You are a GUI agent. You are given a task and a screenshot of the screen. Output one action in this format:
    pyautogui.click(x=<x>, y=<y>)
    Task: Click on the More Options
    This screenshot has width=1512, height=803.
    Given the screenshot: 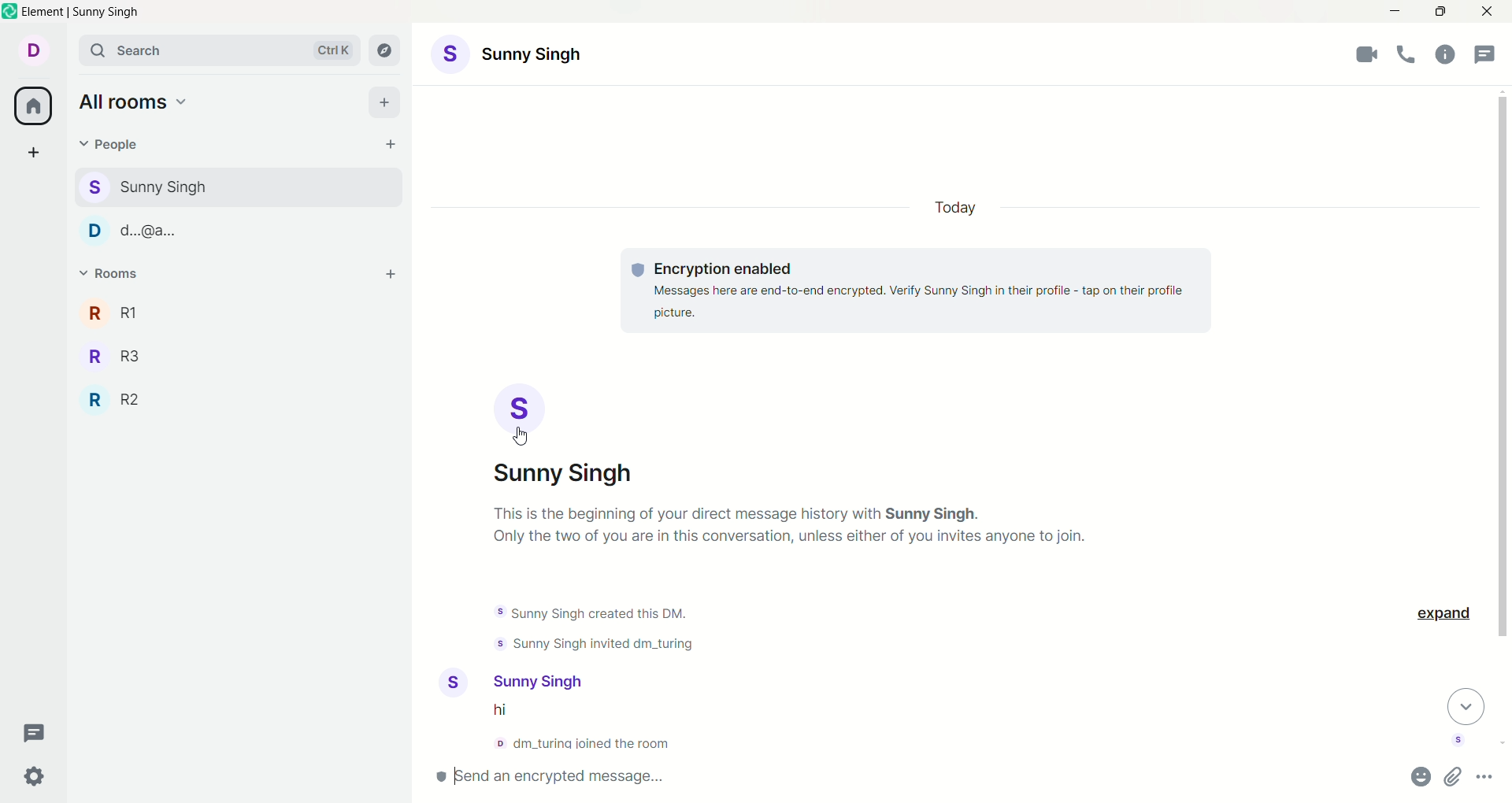 What is the action you would take?
    pyautogui.click(x=1488, y=775)
    